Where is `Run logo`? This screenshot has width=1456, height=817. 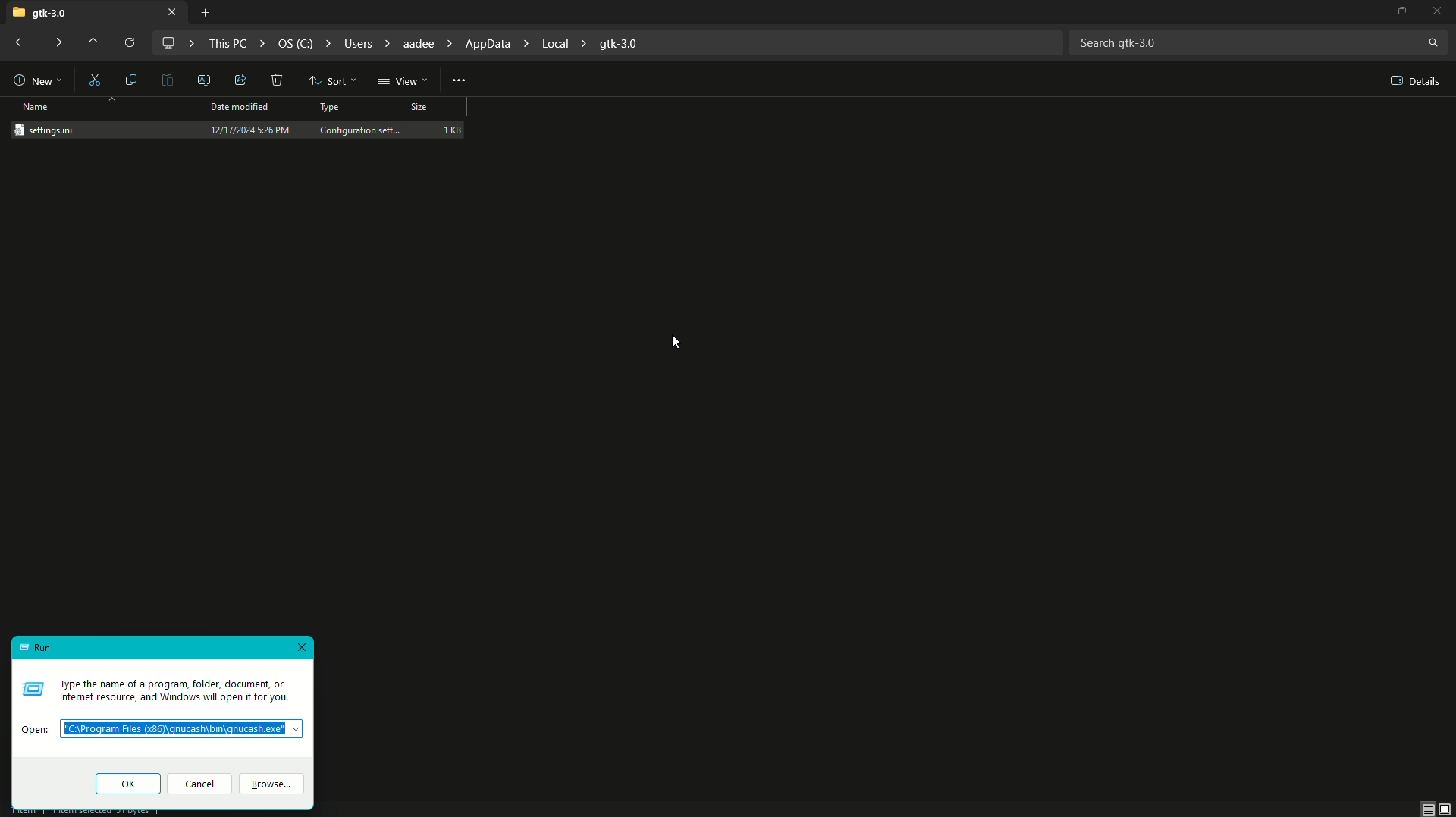
Run logo is located at coordinates (32, 688).